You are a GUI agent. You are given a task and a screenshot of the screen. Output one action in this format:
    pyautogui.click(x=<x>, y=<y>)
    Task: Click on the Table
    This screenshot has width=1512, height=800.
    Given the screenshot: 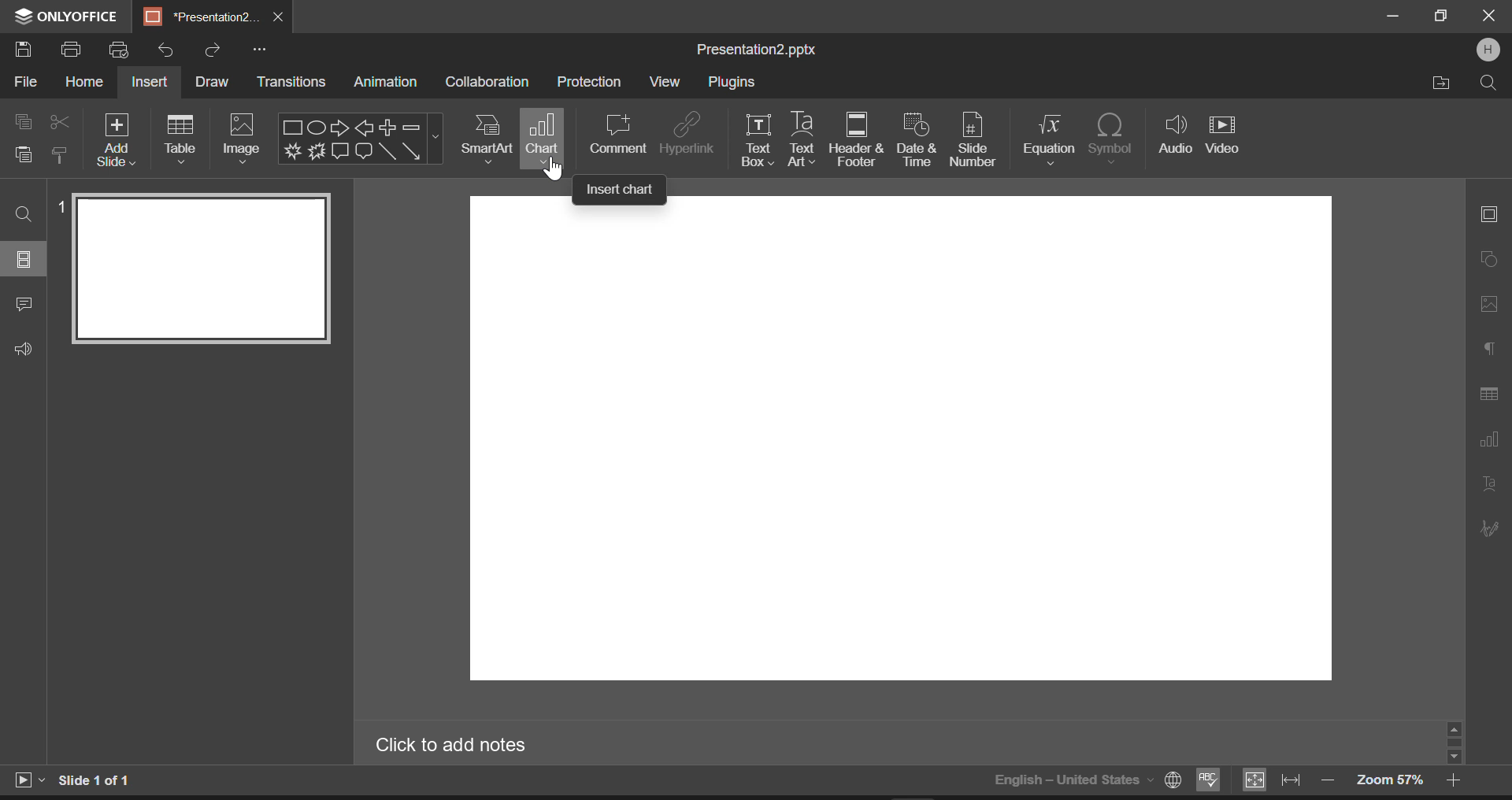 What is the action you would take?
    pyautogui.click(x=183, y=138)
    